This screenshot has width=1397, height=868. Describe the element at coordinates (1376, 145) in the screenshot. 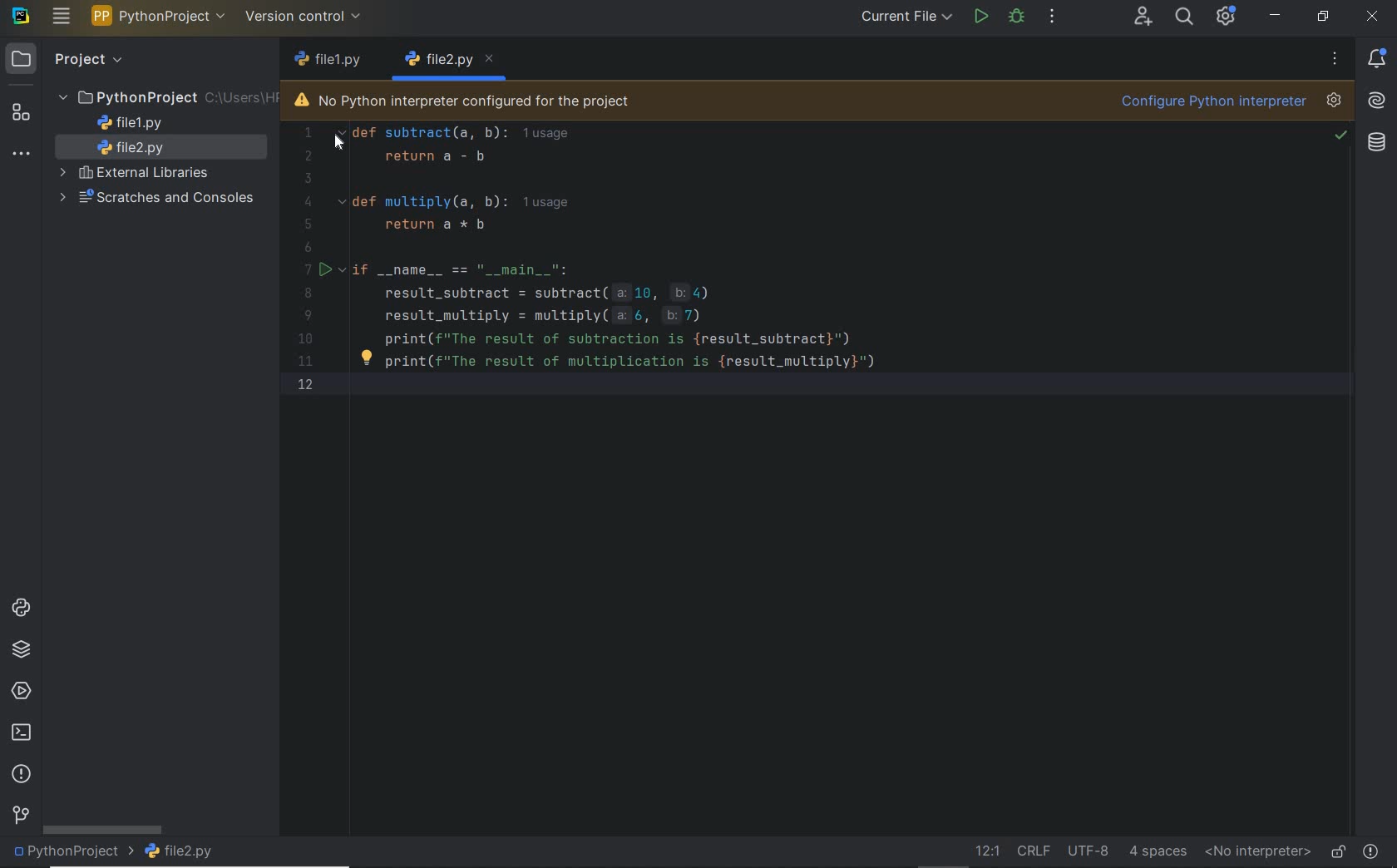

I see `Database` at that location.